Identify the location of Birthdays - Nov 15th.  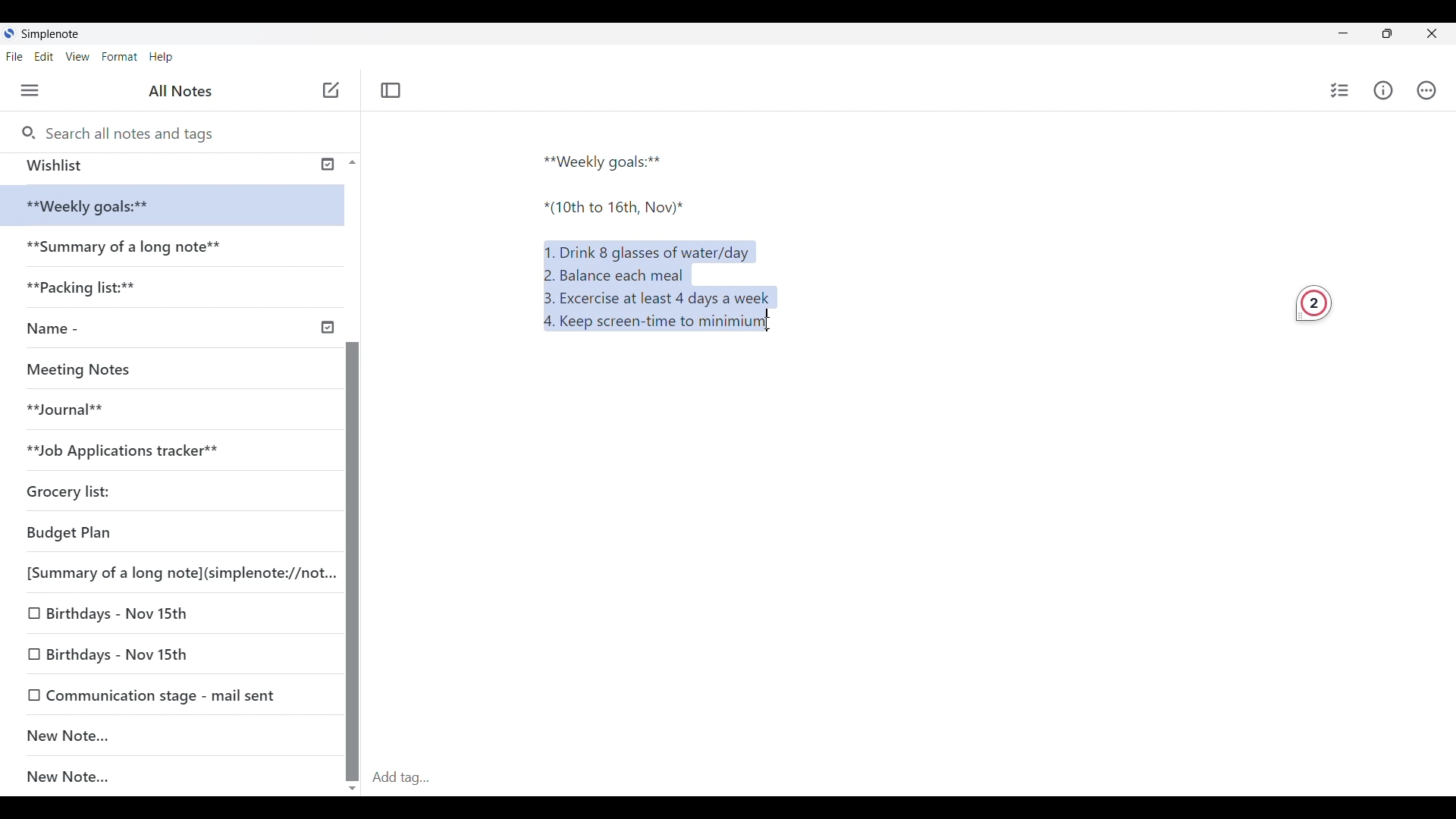
(165, 651).